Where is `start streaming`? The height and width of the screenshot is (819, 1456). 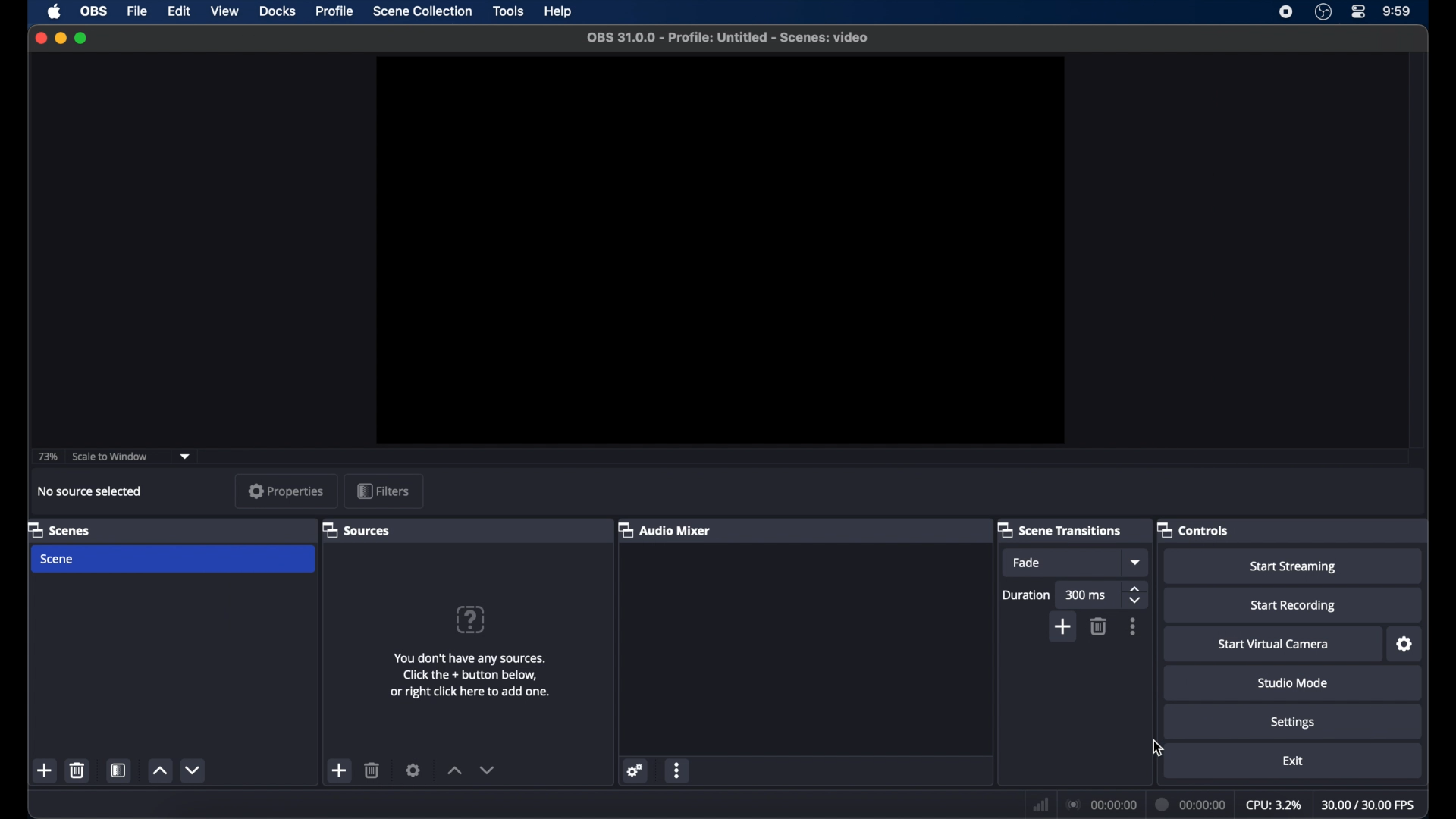 start streaming is located at coordinates (1294, 566).